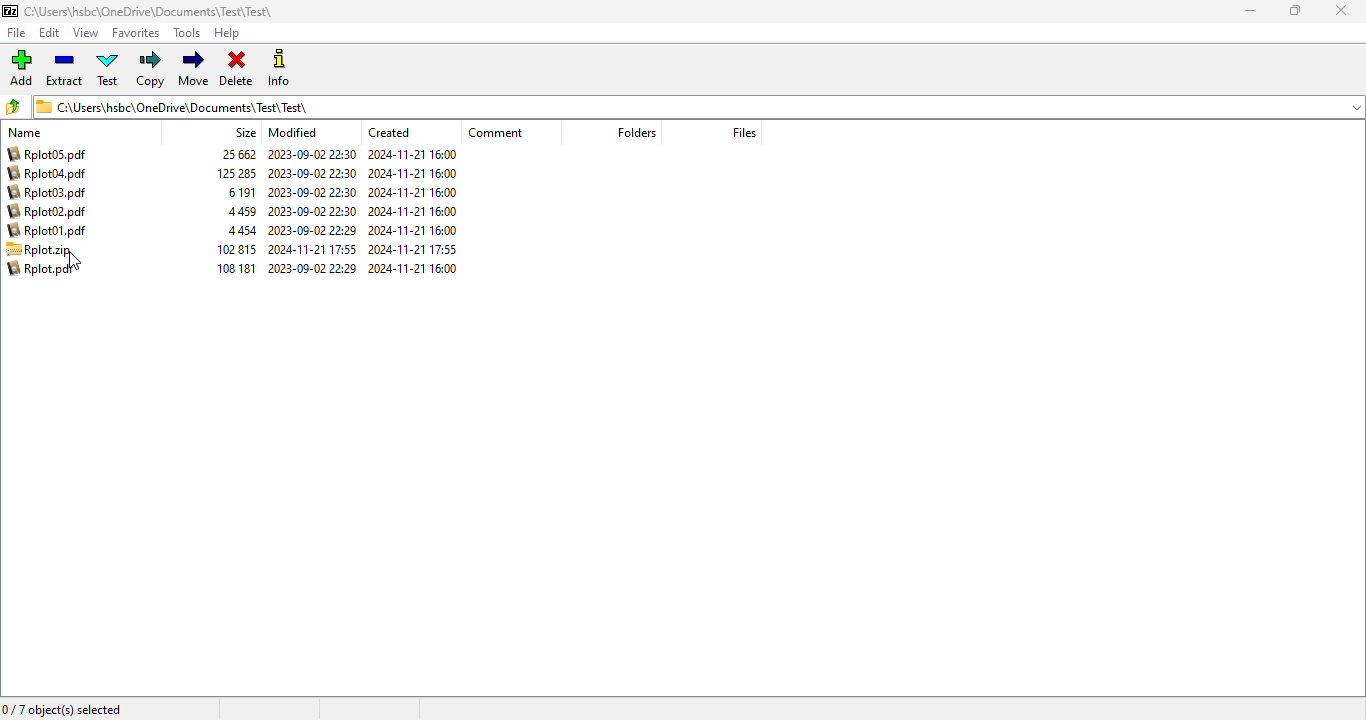 This screenshot has height=720, width=1366. What do you see at coordinates (187, 32) in the screenshot?
I see `tools` at bounding box center [187, 32].